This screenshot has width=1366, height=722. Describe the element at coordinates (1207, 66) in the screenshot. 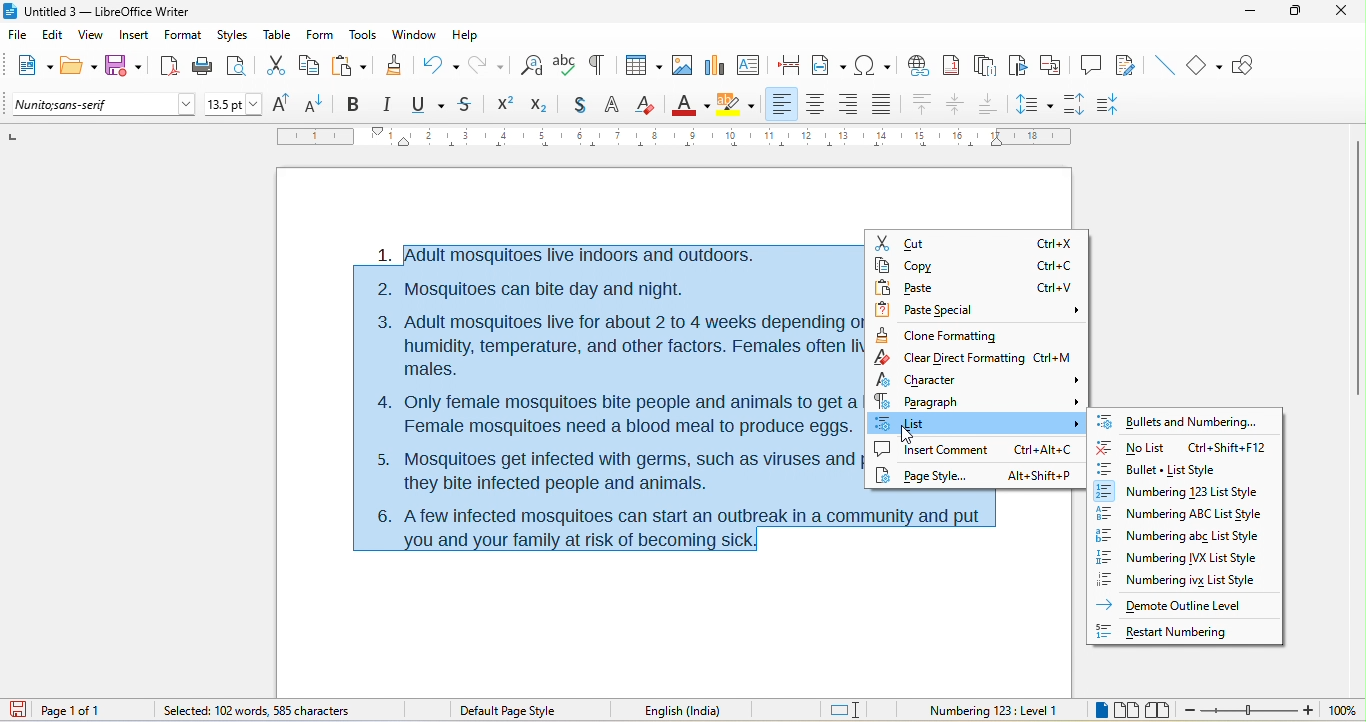

I see `basic shape` at that location.